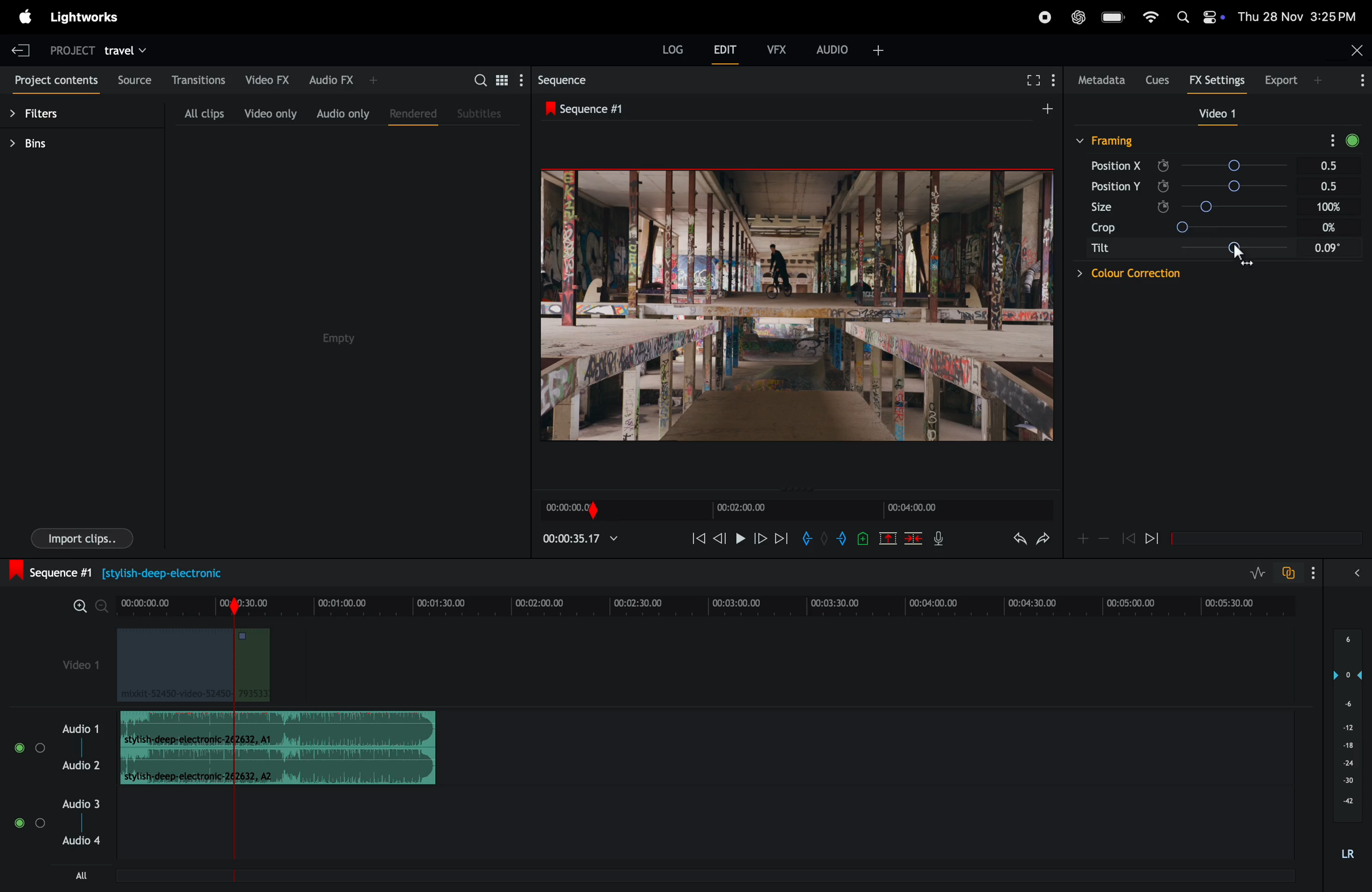 The width and height of the screenshot is (1372, 892). I want to click on exit, so click(21, 48).